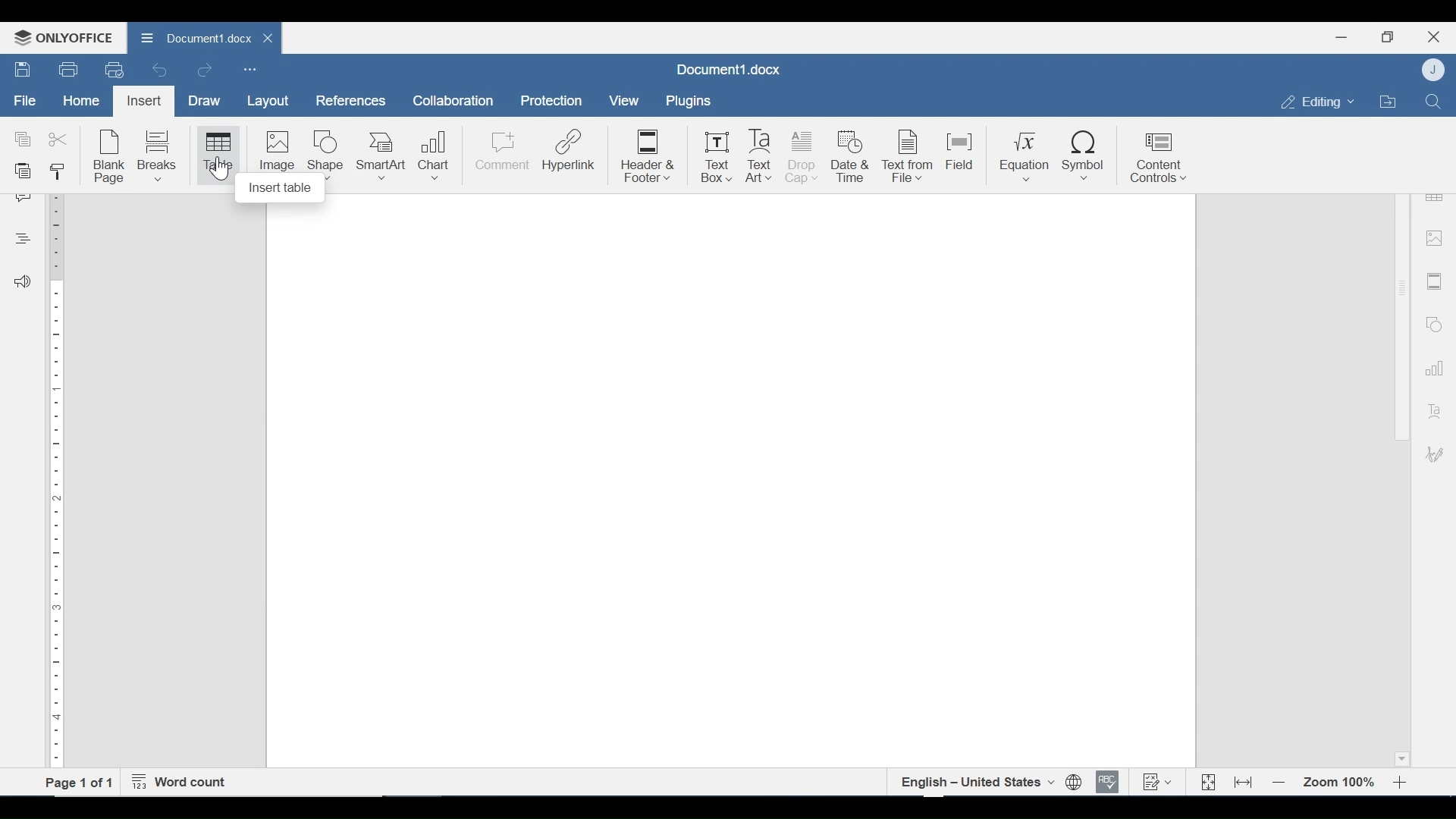 This screenshot has height=819, width=1456. I want to click on Layout, so click(268, 102).